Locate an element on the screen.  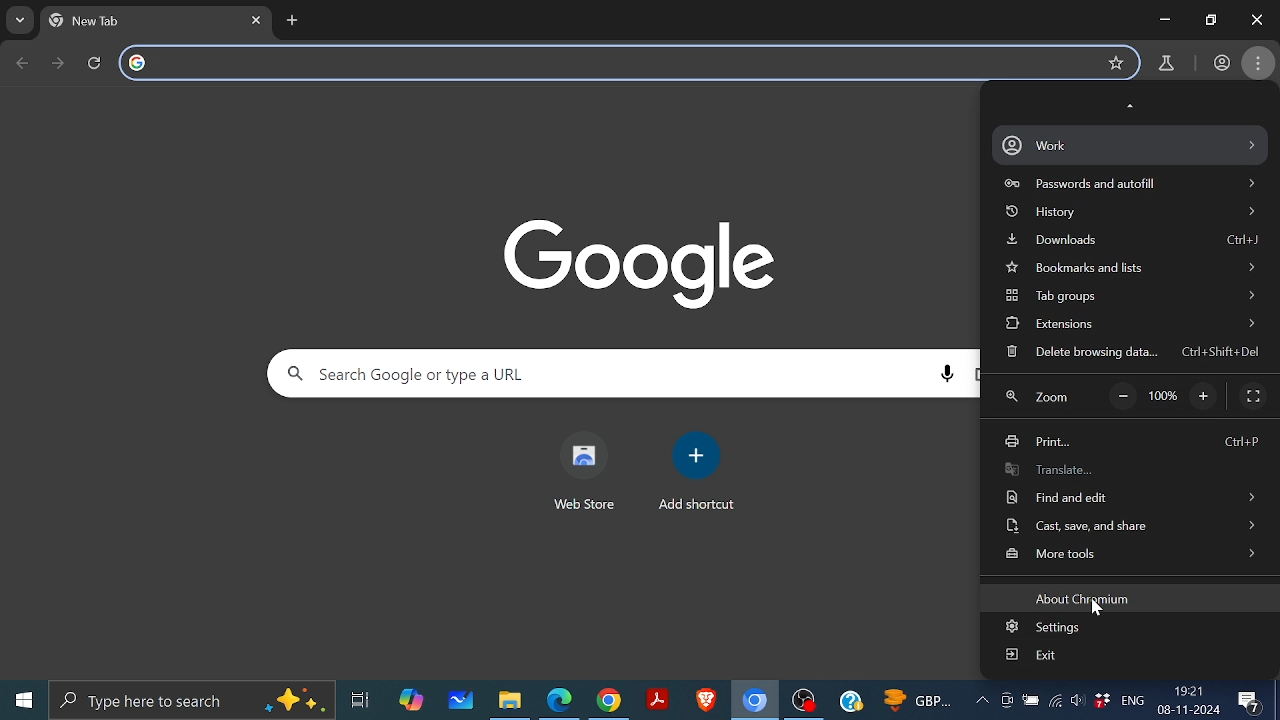
find and edit is located at coordinates (1131, 496).